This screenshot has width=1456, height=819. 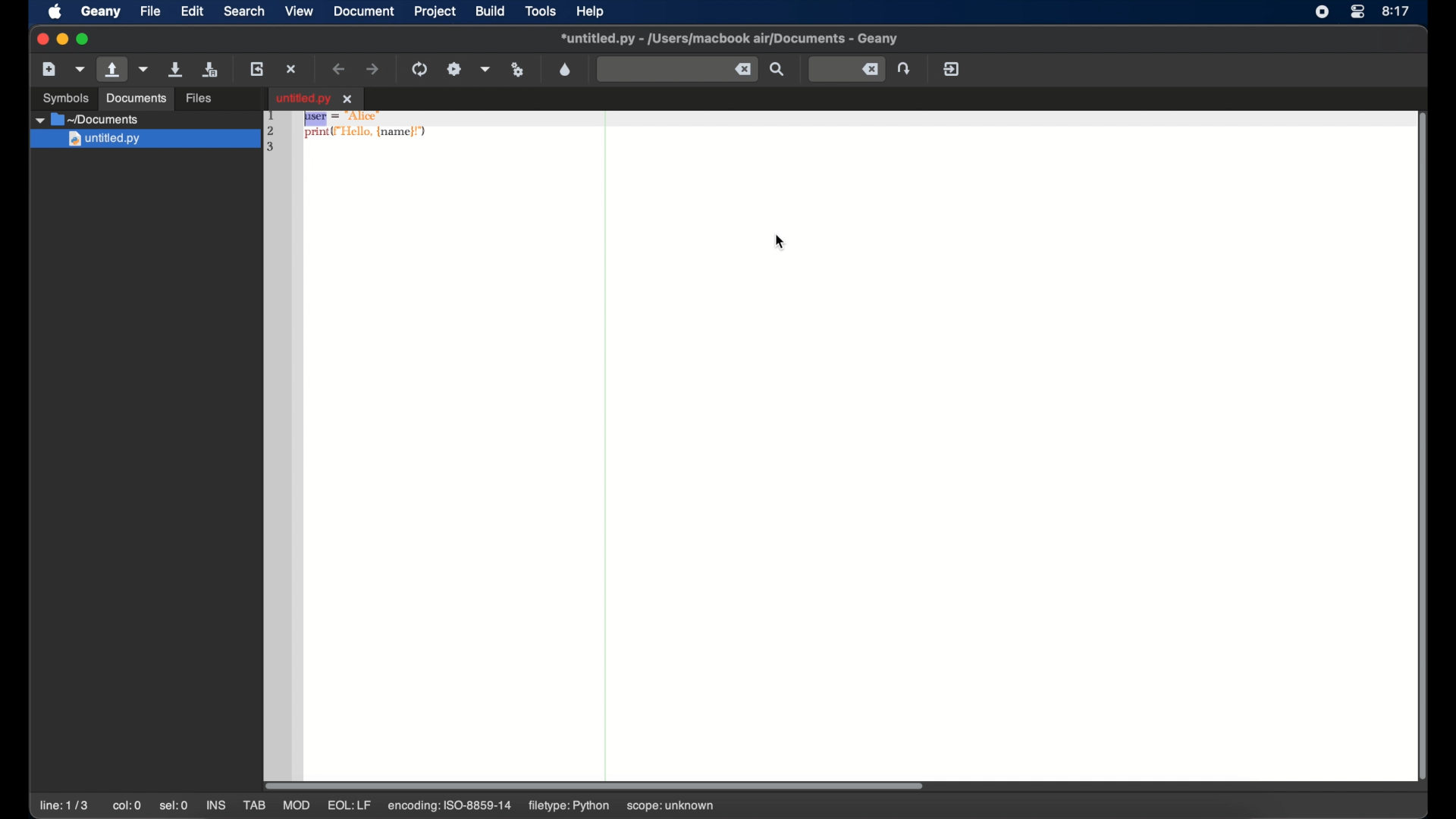 I want to click on navigate back a location, so click(x=338, y=68).